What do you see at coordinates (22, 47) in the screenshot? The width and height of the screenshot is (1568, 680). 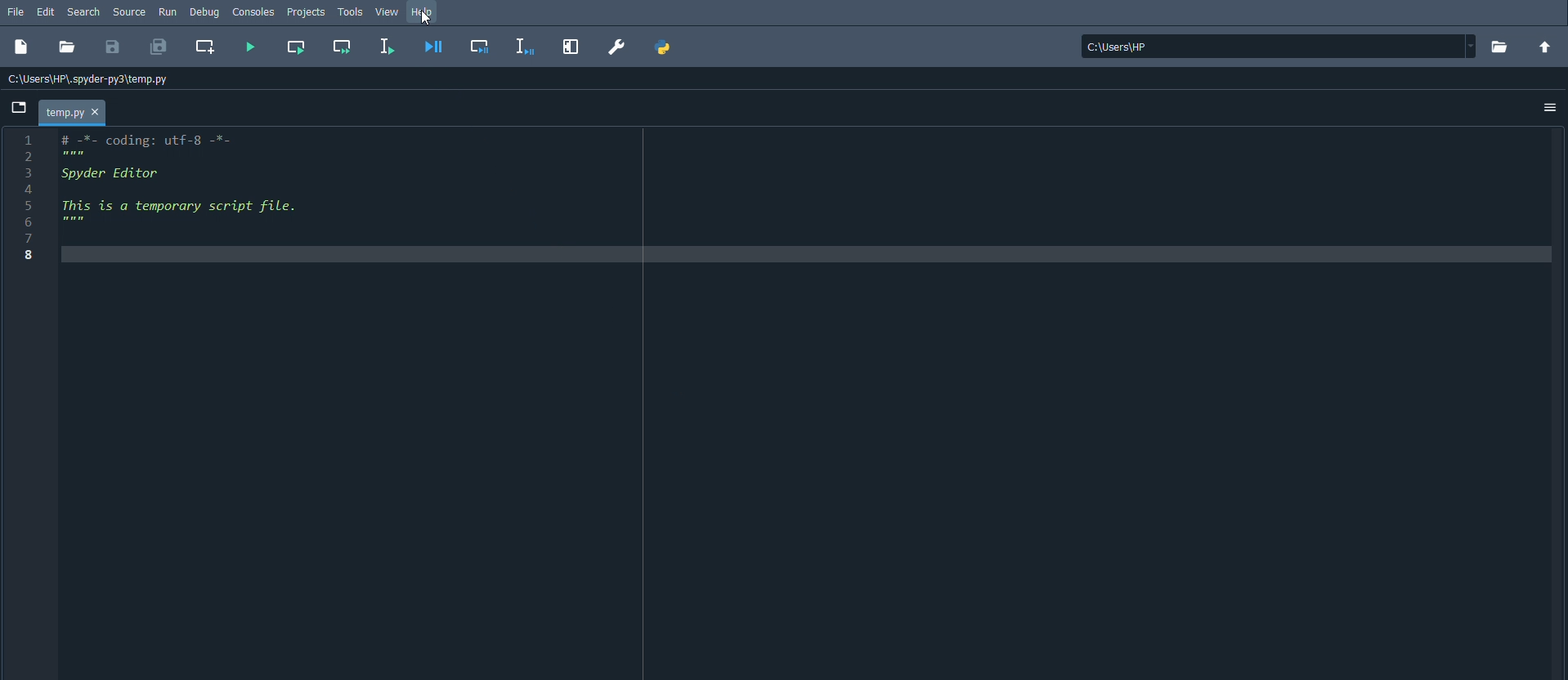 I see `New file` at bounding box center [22, 47].